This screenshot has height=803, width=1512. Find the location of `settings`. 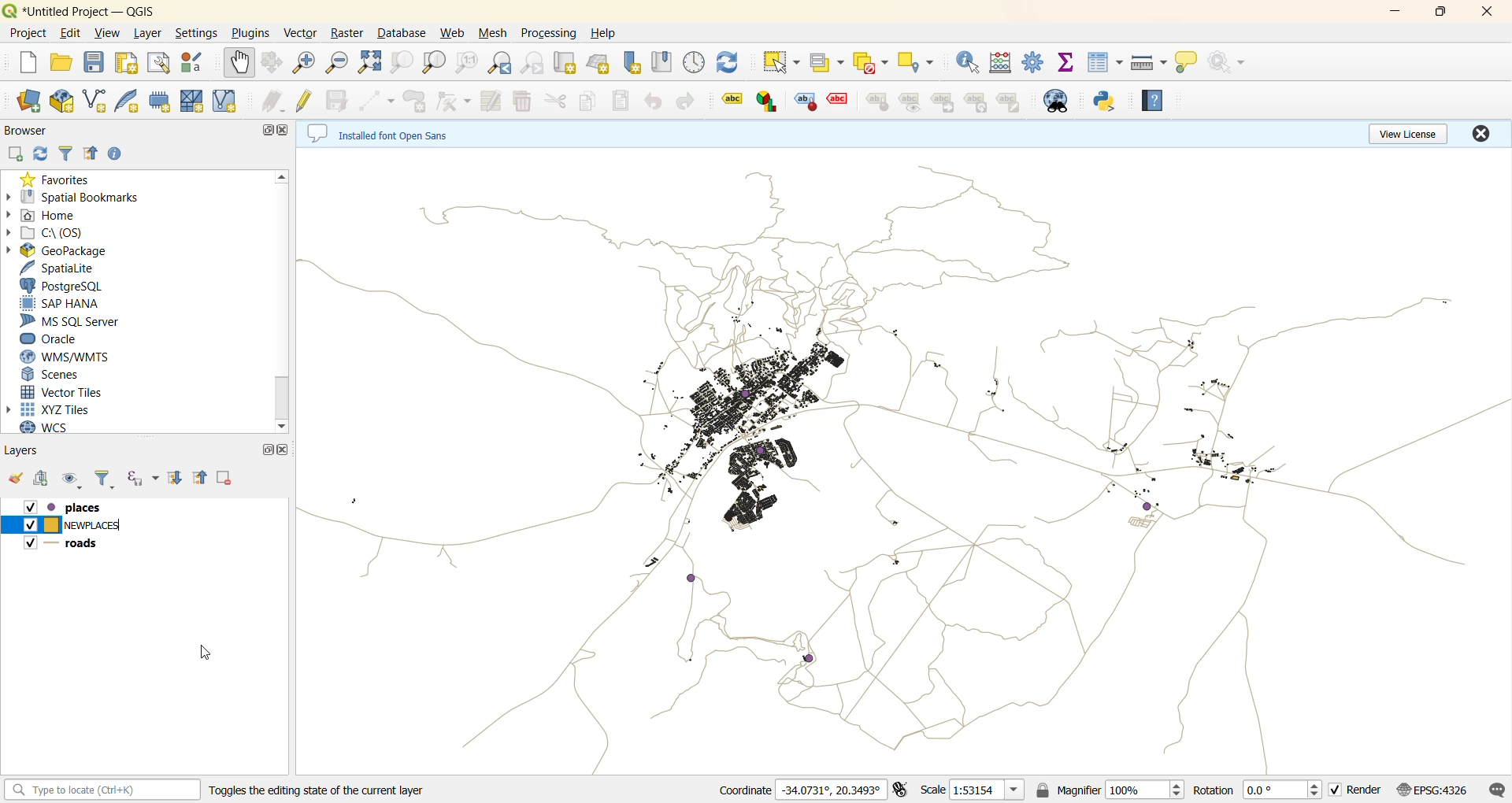

settings is located at coordinates (196, 33).